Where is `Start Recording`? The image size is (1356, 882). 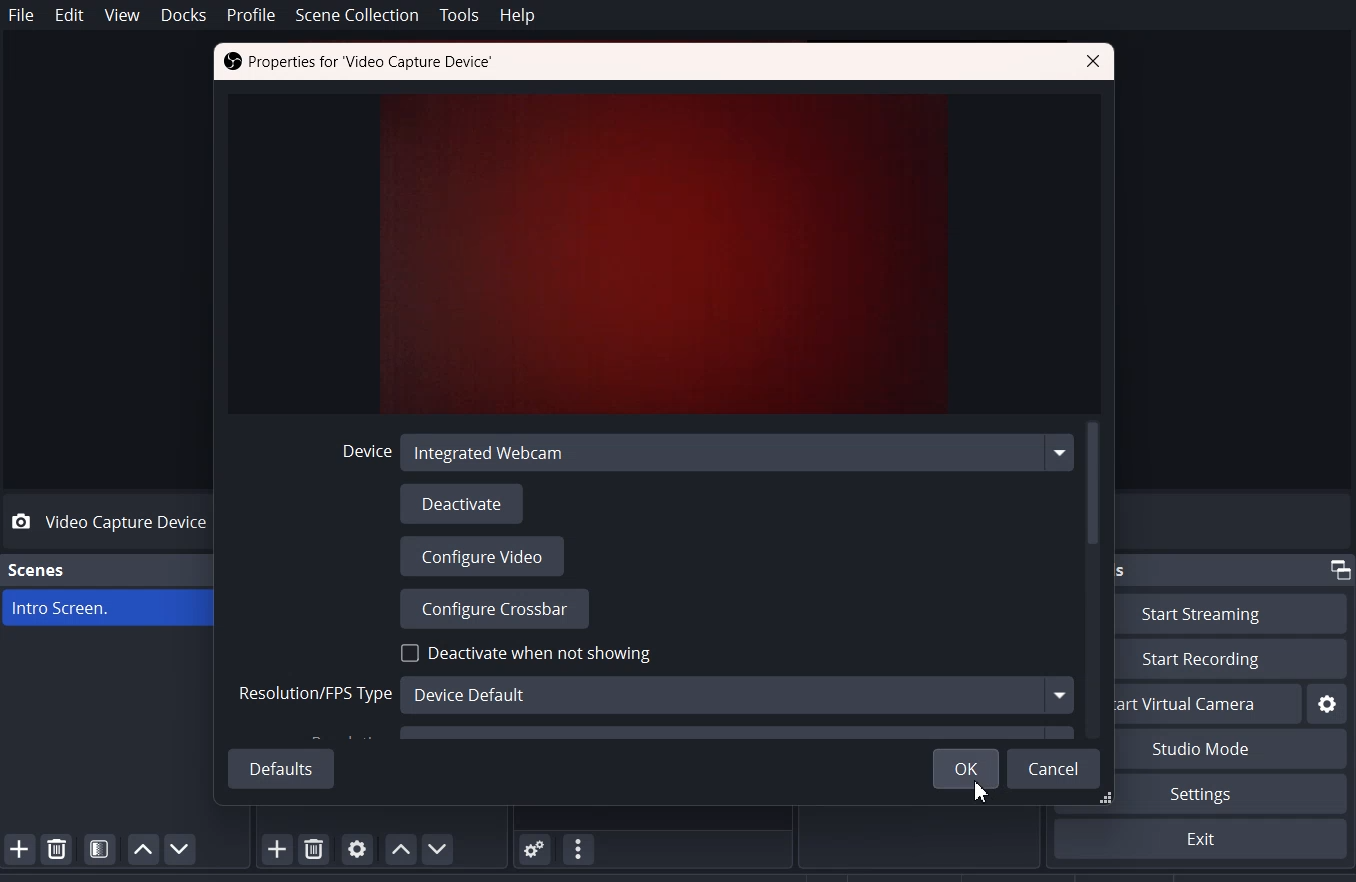 Start Recording is located at coordinates (1231, 660).